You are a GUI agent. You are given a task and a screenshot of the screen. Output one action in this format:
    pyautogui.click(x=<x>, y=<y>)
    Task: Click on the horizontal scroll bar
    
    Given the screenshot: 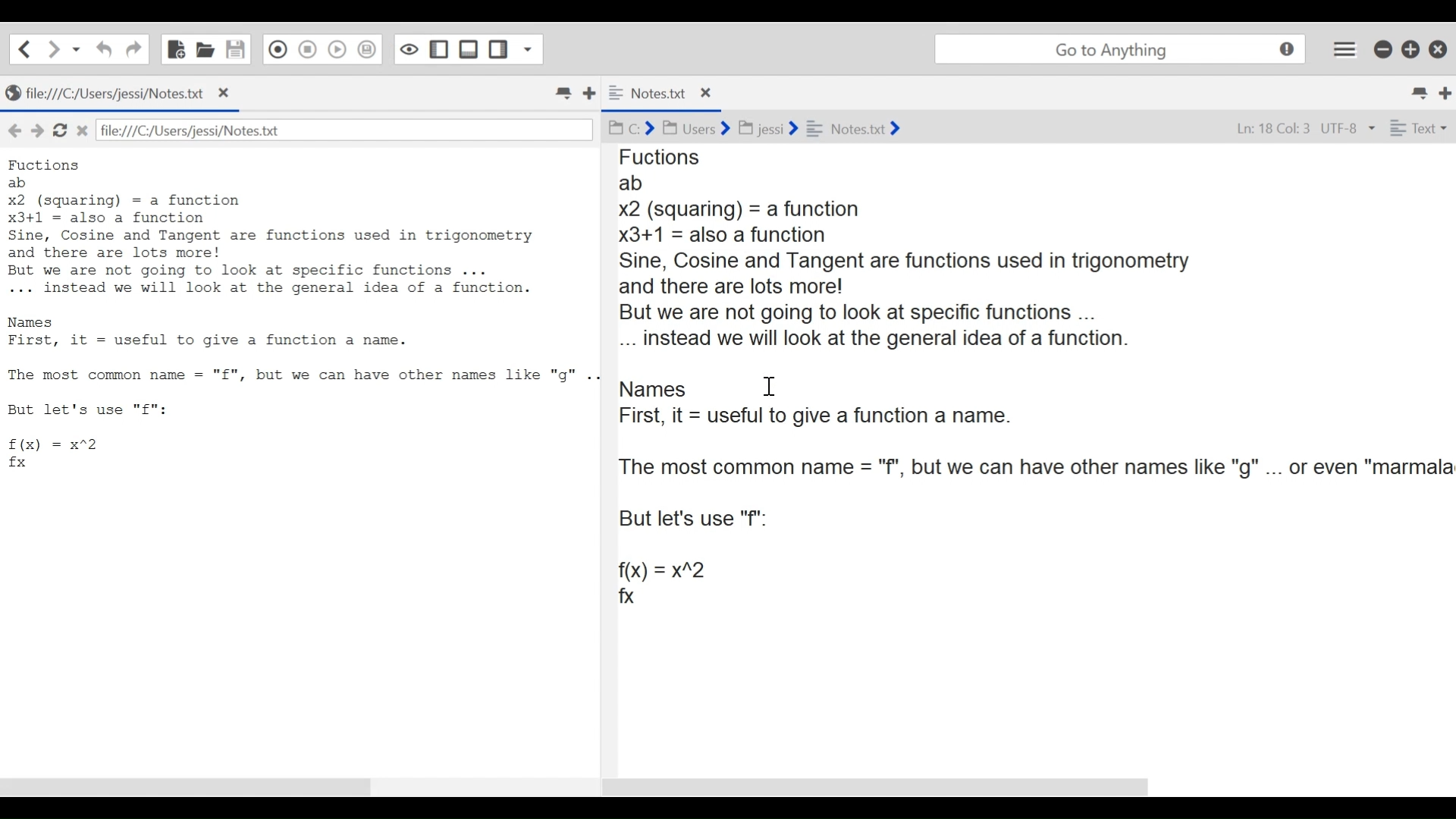 What is the action you would take?
    pyautogui.click(x=883, y=786)
    